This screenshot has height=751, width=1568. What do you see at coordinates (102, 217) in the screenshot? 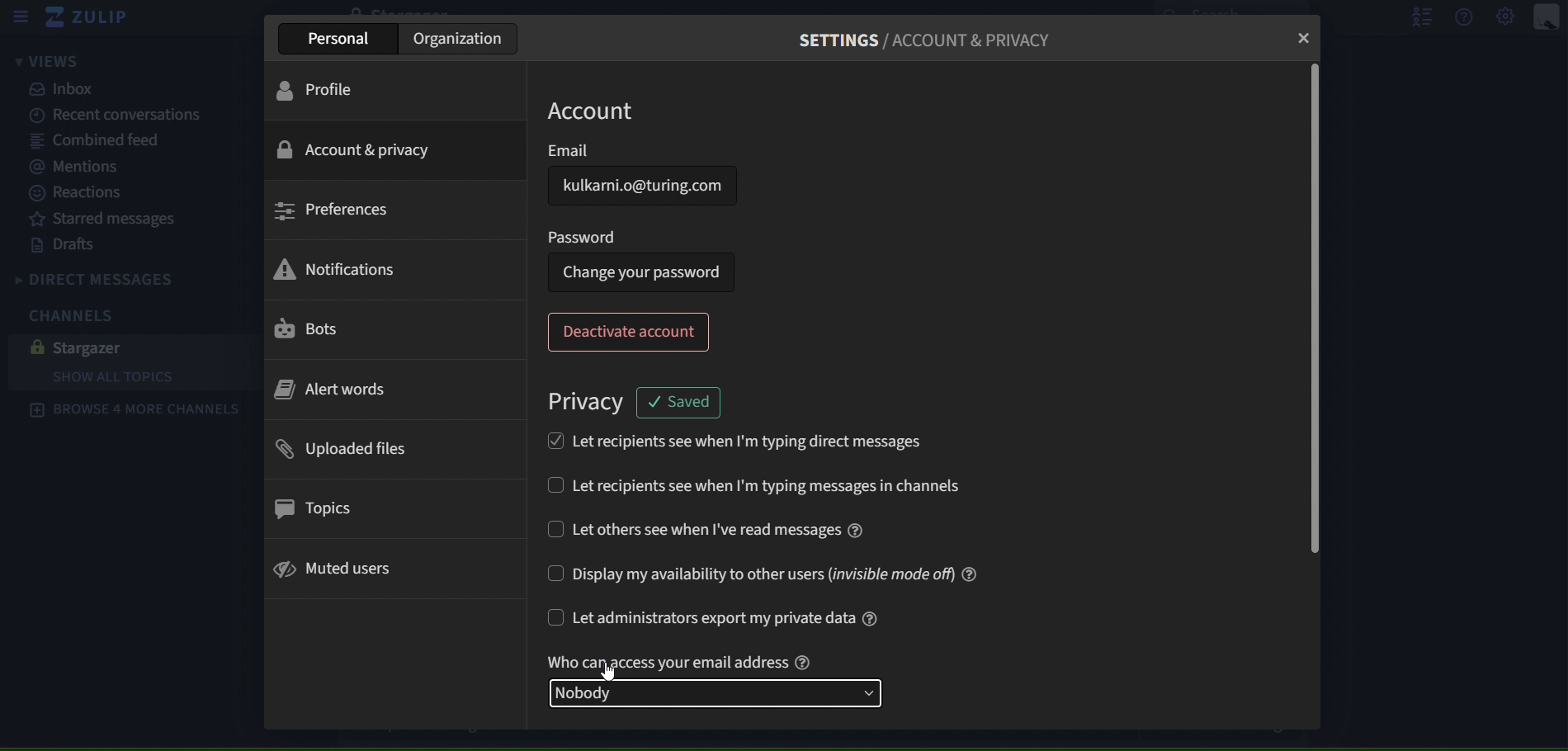
I see `starred messages` at bounding box center [102, 217].